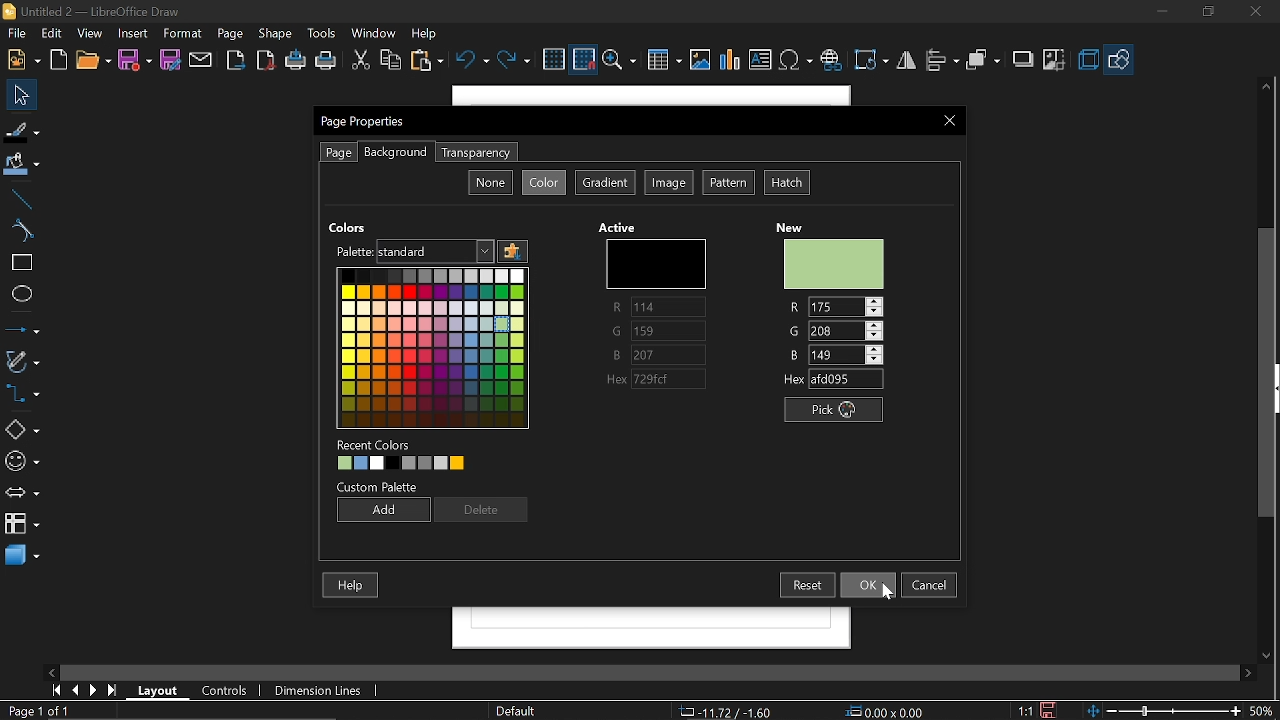  What do you see at coordinates (22, 492) in the screenshot?
I see `Arrows` at bounding box center [22, 492].